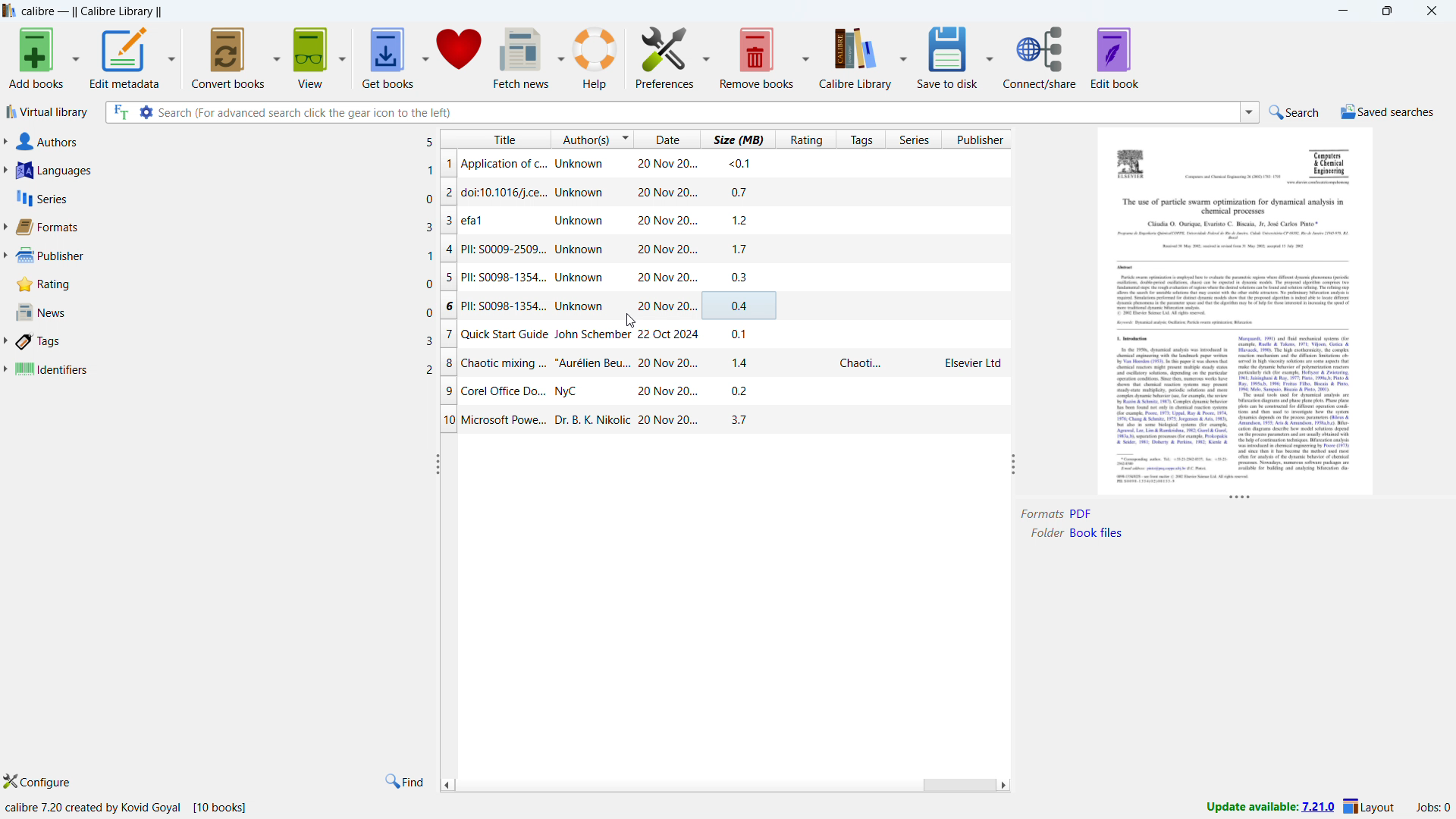 Image resolution: width=1456 pixels, height=819 pixels. Describe the element at coordinates (948, 57) in the screenshot. I see `save to disk` at that location.